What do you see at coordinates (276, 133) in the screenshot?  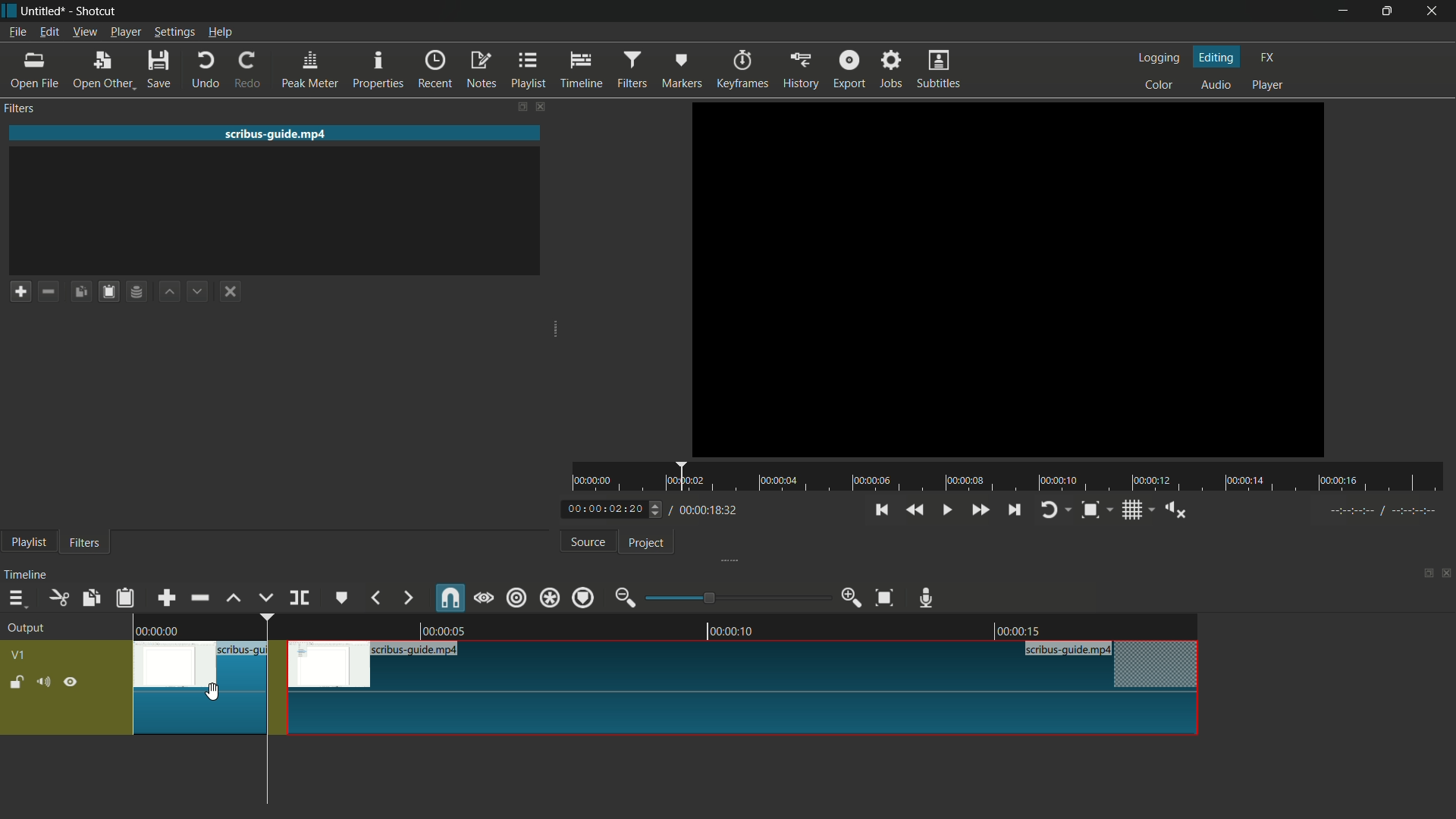 I see `imported file name` at bounding box center [276, 133].